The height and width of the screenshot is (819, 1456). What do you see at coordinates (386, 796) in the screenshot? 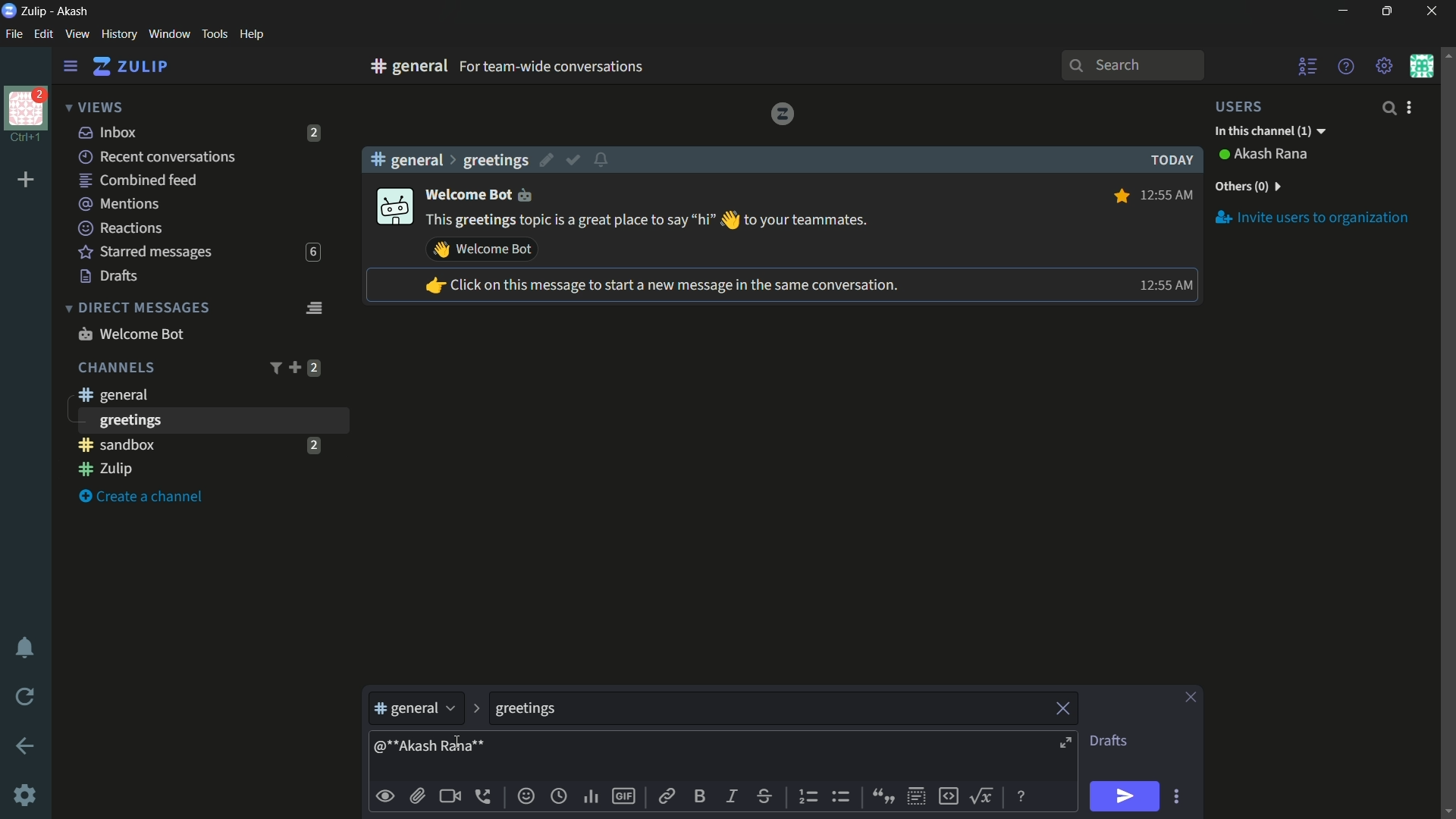
I see `` at bounding box center [386, 796].